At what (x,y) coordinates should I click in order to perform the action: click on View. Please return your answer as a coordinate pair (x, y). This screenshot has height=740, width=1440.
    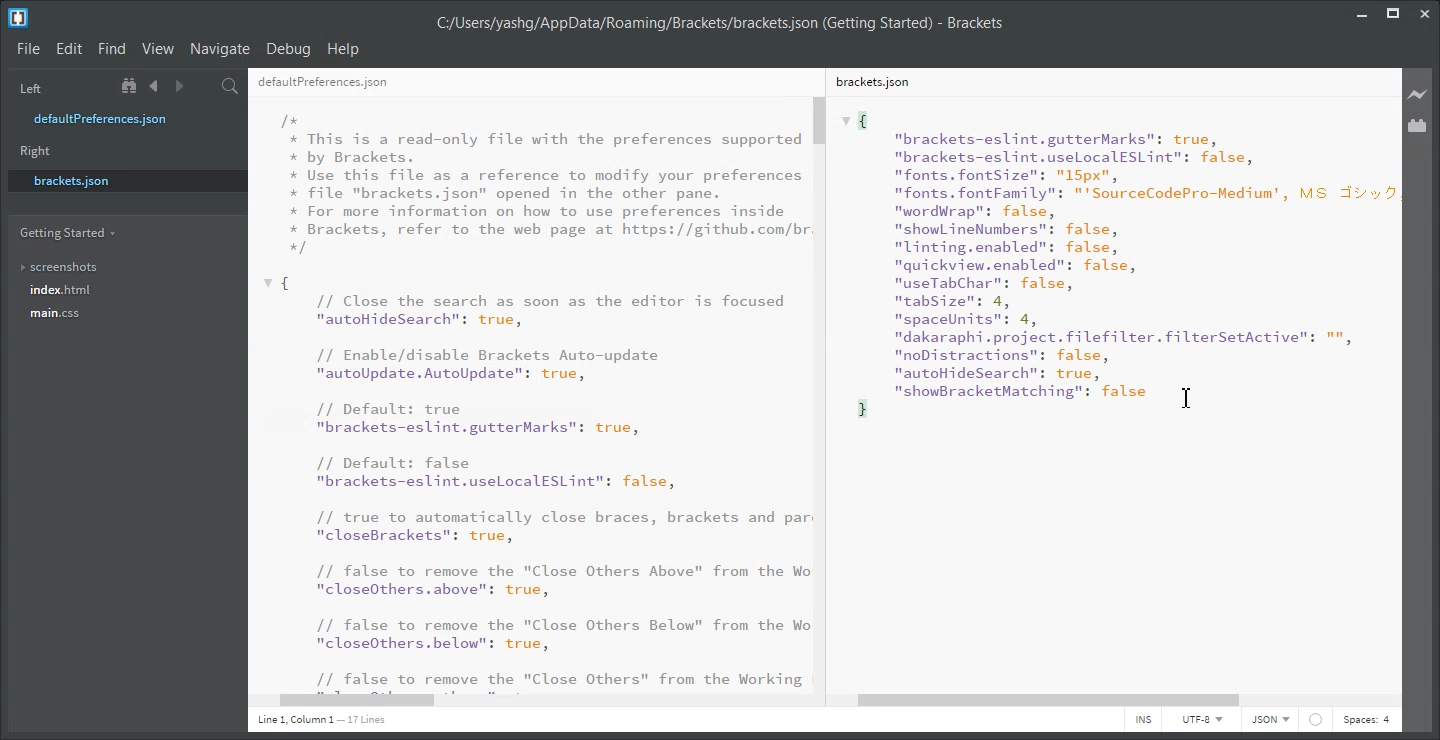
    Looking at the image, I should click on (158, 49).